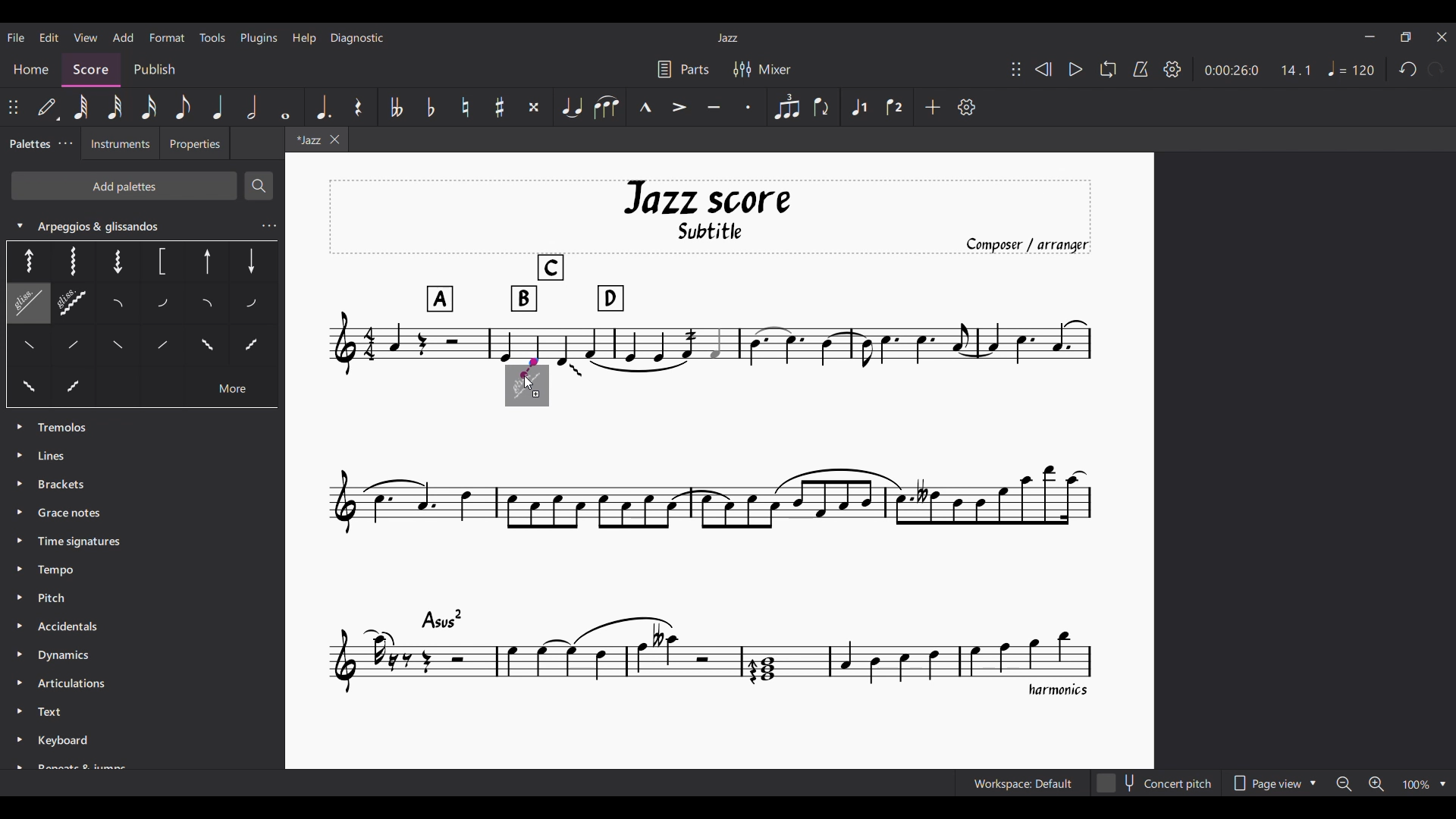  I want to click on Score, current section highlighted, so click(91, 67).